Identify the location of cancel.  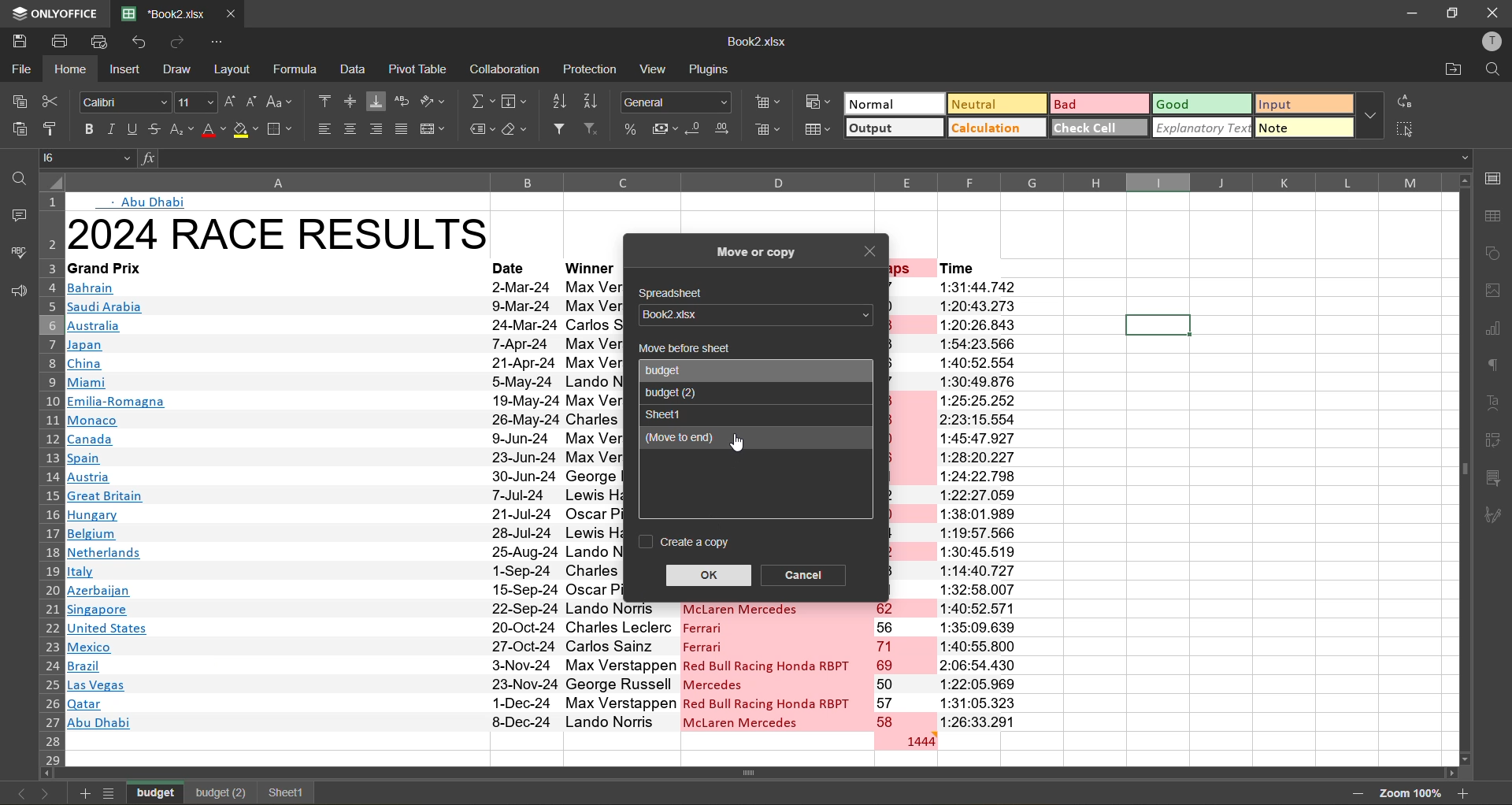
(806, 573).